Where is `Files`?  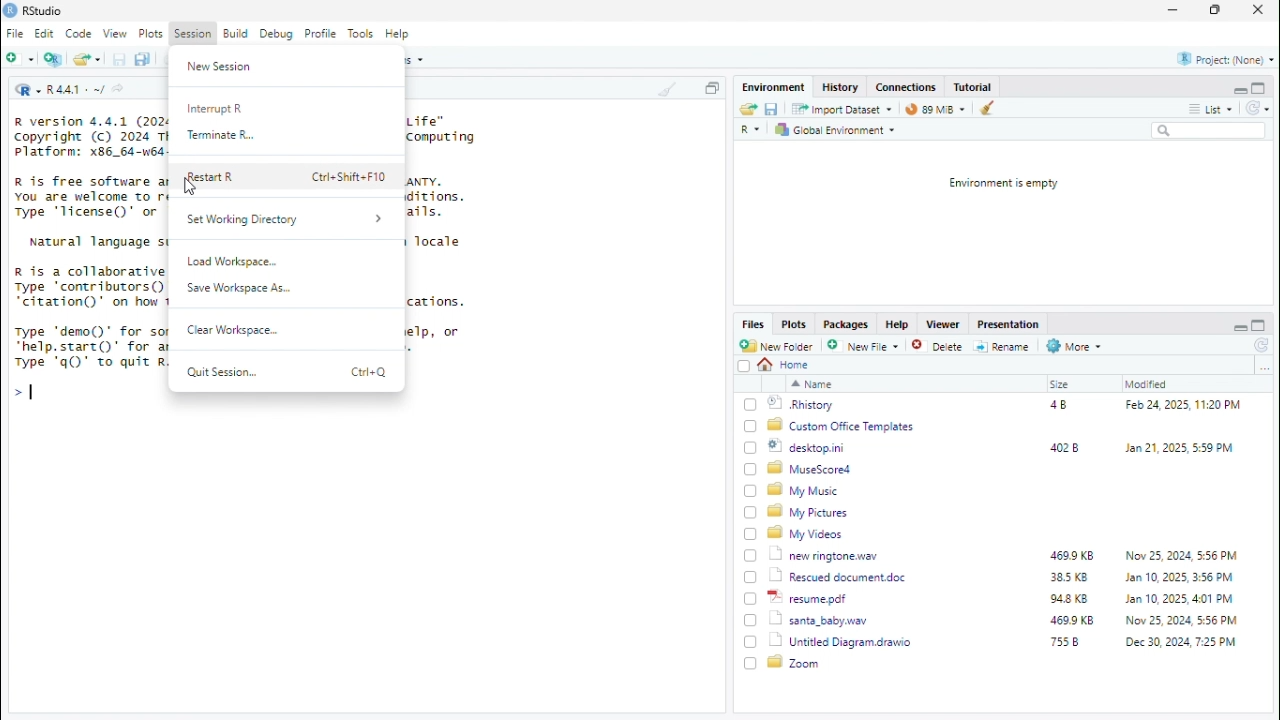
Files is located at coordinates (754, 323).